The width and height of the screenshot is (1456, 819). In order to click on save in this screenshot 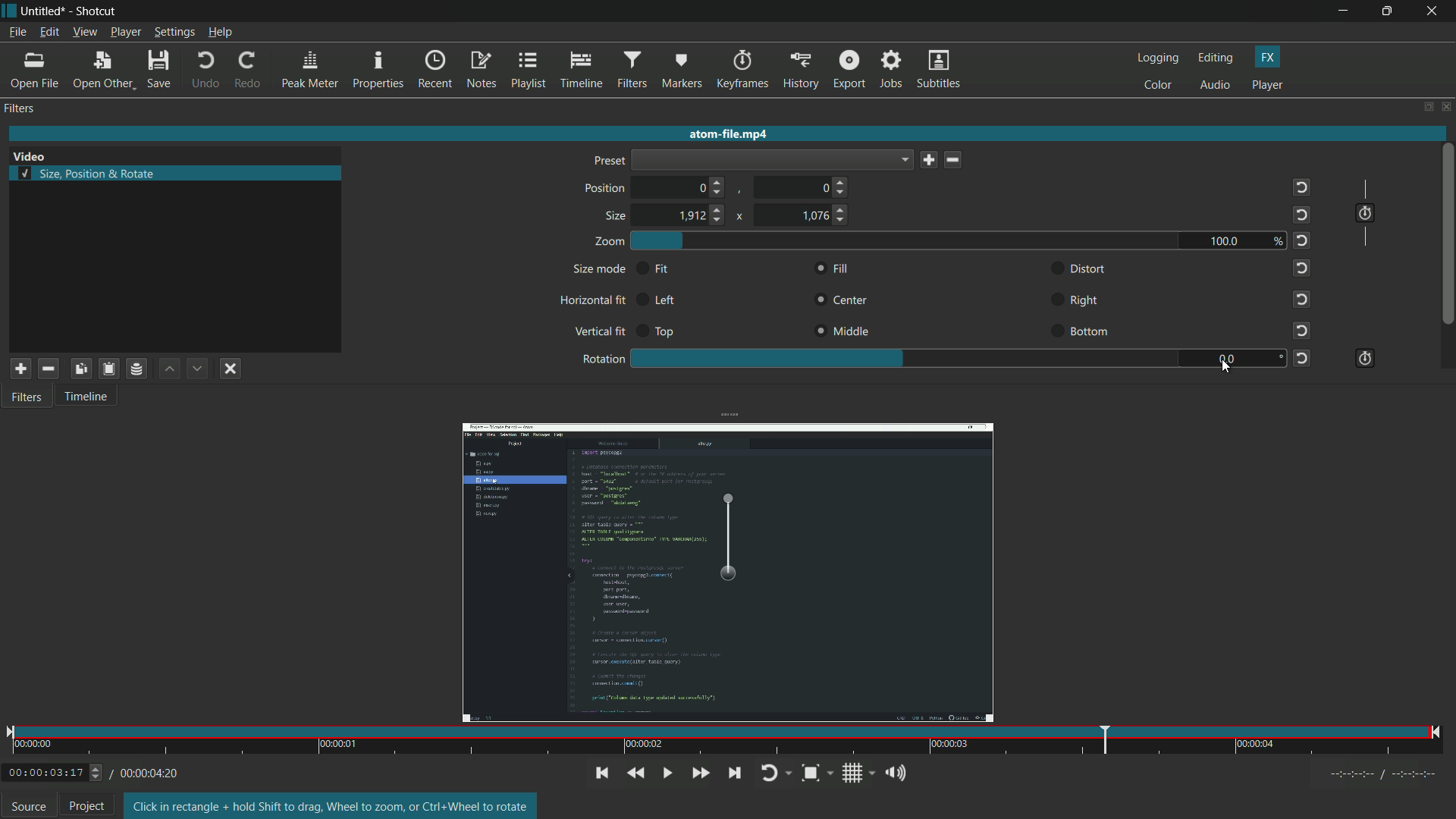, I will do `click(158, 70)`.